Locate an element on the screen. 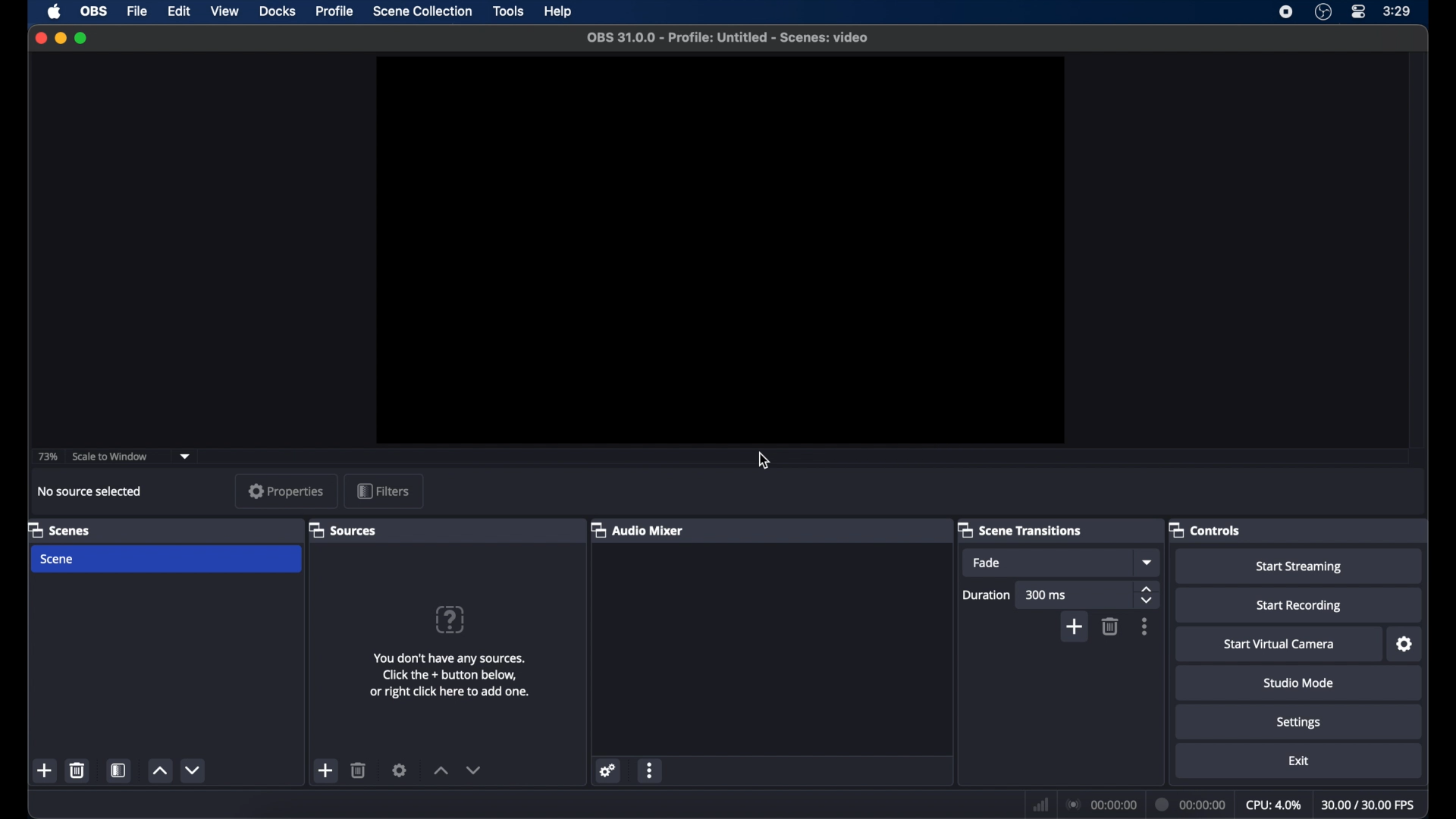 The height and width of the screenshot is (819, 1456). maximize is located at coordinates (82, 38).